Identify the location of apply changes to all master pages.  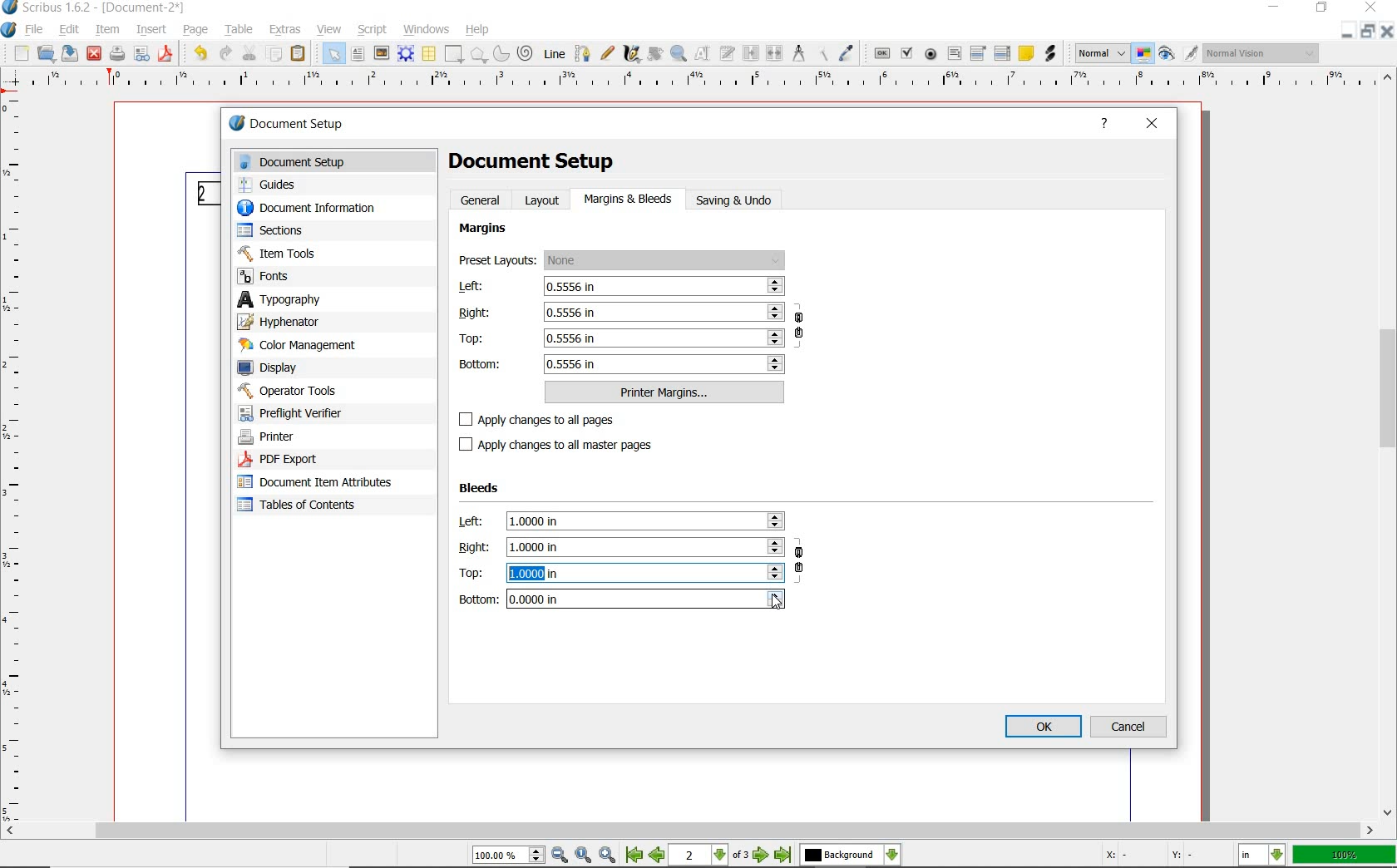
(565, 445).